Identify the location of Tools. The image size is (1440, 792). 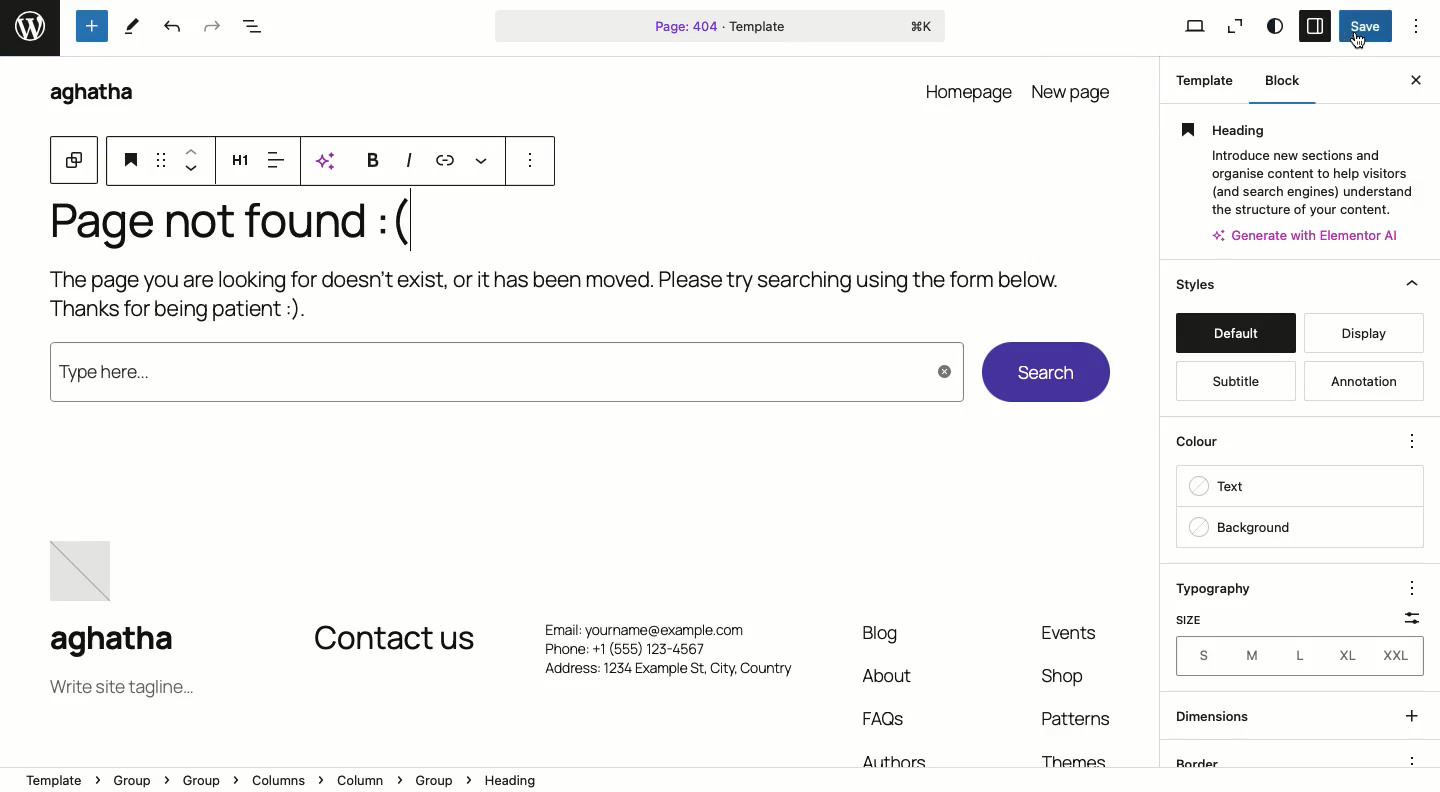
(93, 25).